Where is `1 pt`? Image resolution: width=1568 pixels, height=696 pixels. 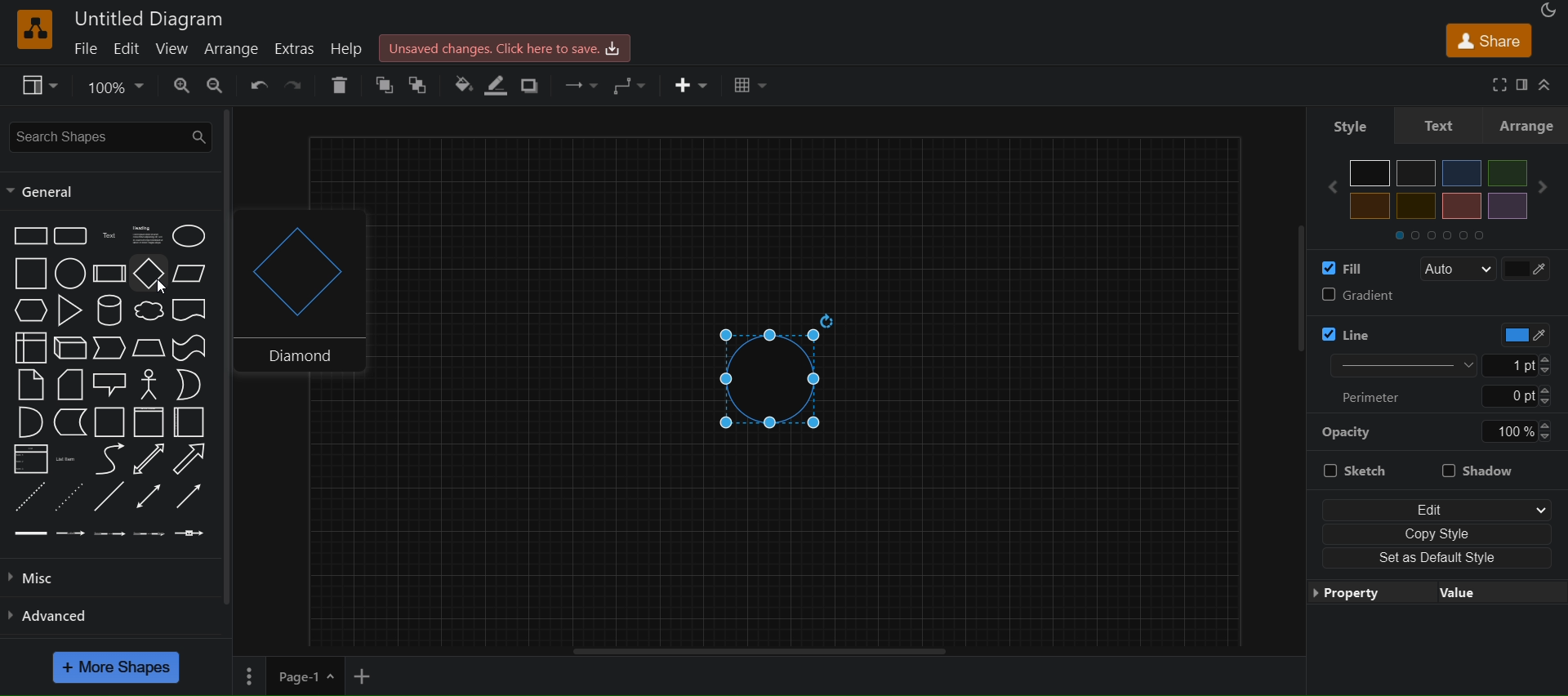 1 pt is located at coordinates (1528, 365).